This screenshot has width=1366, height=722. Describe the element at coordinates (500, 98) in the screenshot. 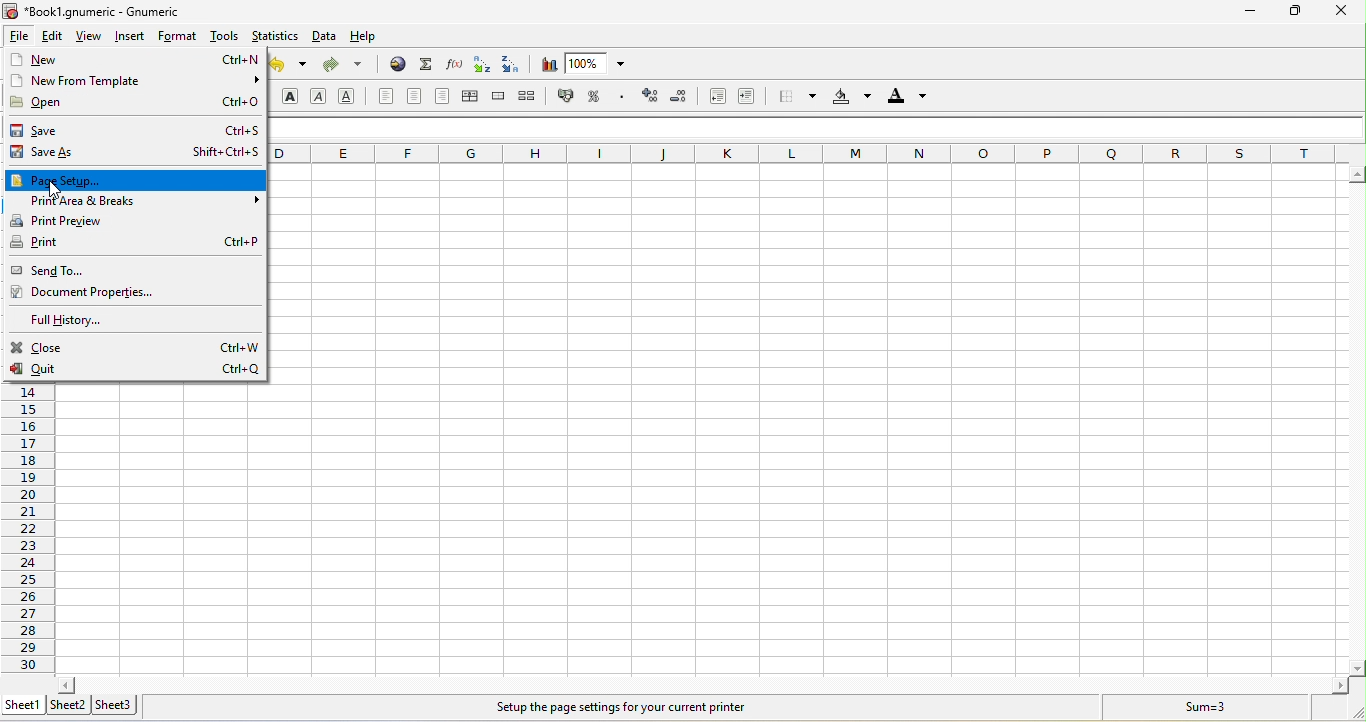

I see `merge a range of cells` at that location.